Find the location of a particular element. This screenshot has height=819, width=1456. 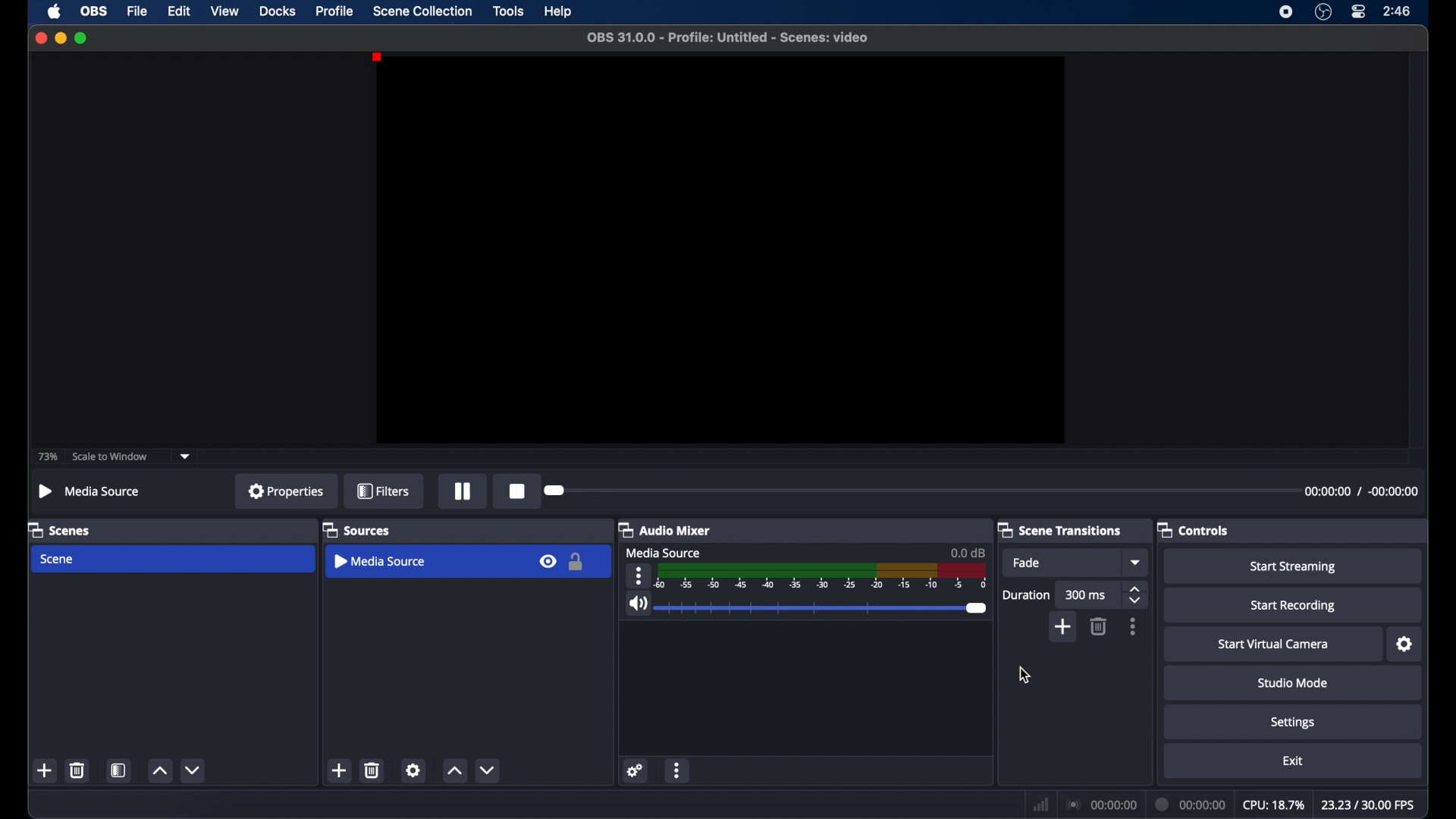

more options is located at coordinates (1134, 627).